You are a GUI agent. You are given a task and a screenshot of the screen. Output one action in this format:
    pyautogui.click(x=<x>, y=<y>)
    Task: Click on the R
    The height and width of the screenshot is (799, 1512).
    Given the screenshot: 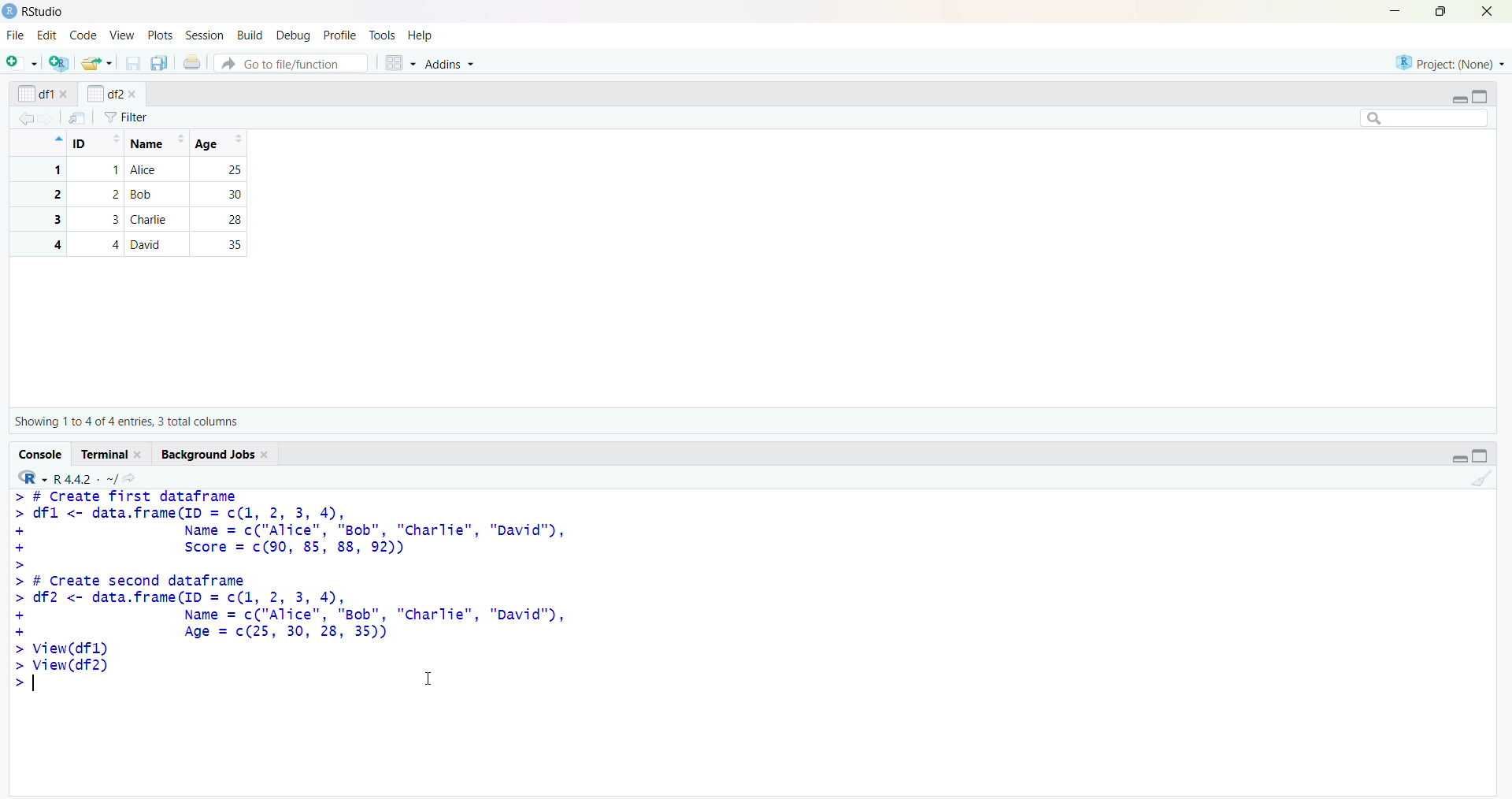 What is the action you would take?
    pyautogui.click(x=32, y=478)
    